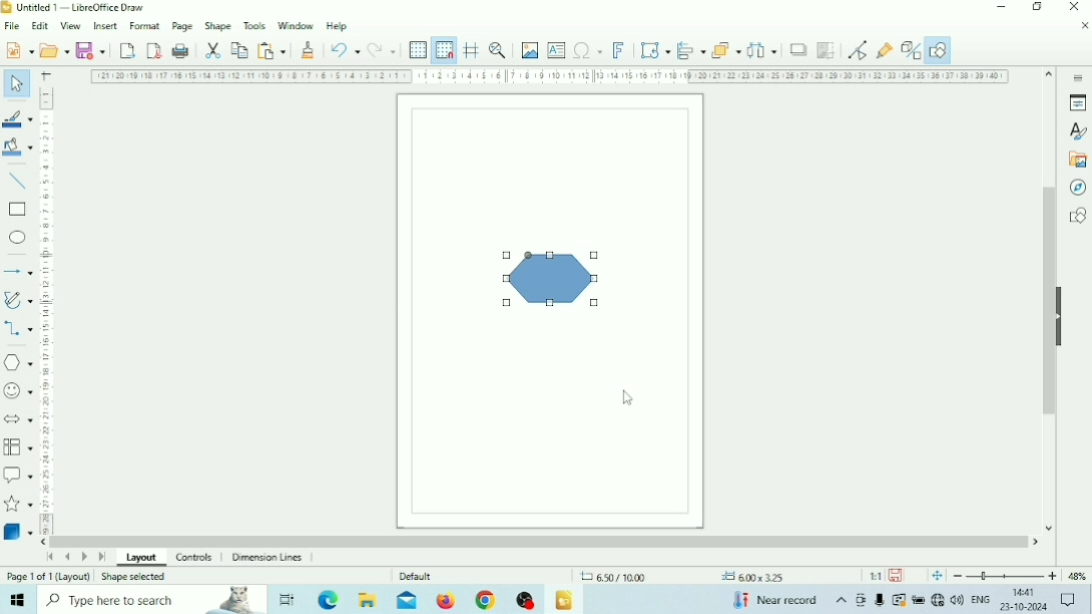  I want to click on Rectangle, so click(17, 210).